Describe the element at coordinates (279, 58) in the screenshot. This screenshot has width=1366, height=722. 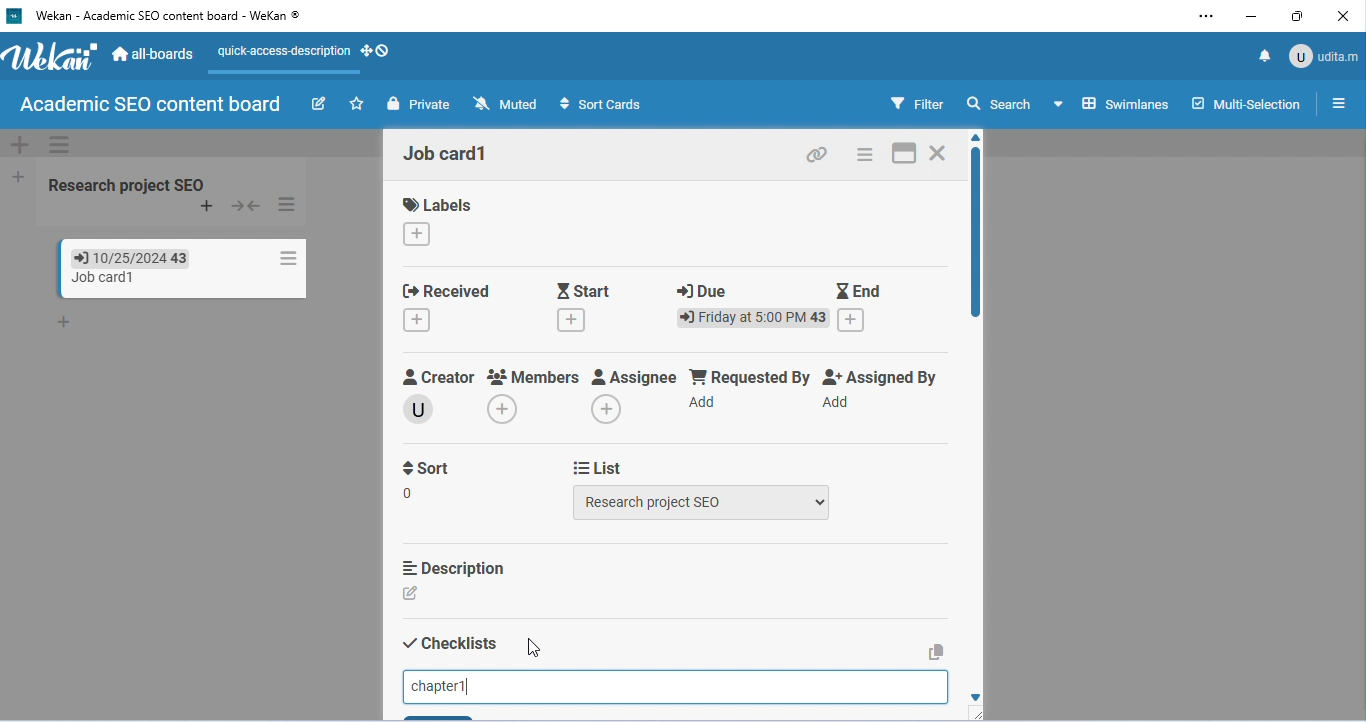
I see `quick-access-description` at that location.